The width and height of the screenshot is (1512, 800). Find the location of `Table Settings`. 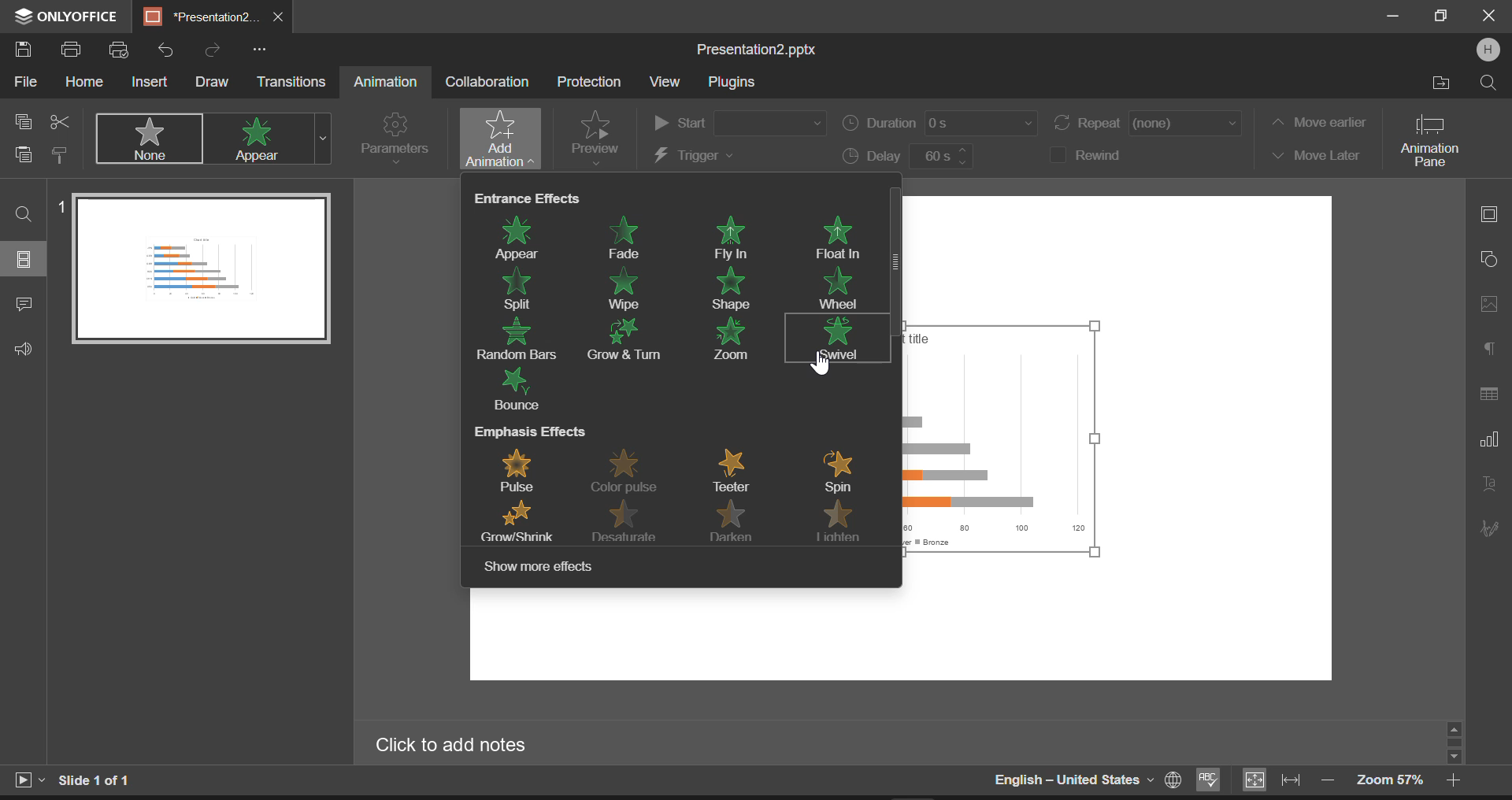

Table Settings is located at coordinates (1489, 394).